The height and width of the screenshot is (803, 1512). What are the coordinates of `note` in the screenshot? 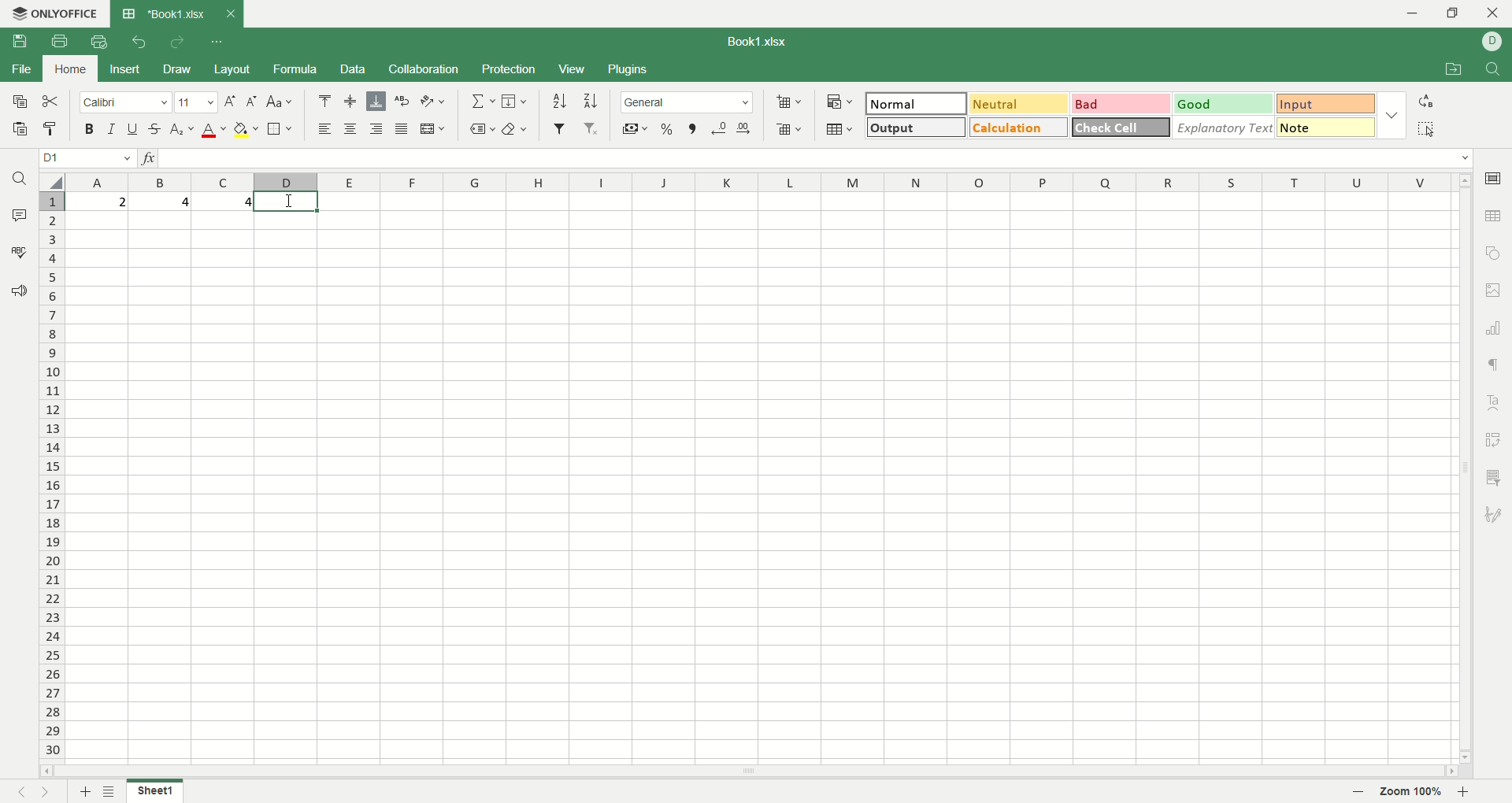 It's located at (1325, 128).